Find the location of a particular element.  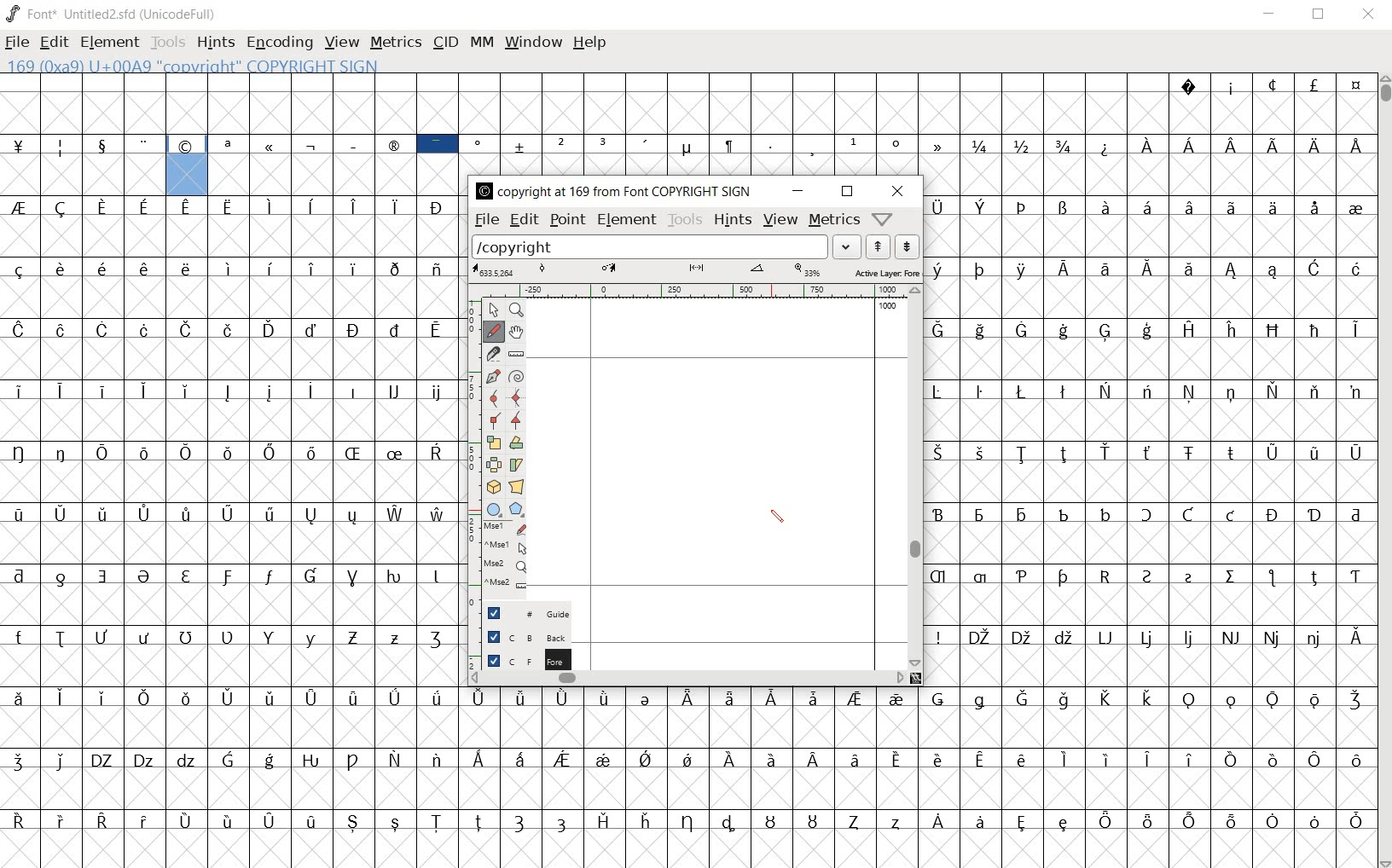

tools is located at coordinates (170, 44).